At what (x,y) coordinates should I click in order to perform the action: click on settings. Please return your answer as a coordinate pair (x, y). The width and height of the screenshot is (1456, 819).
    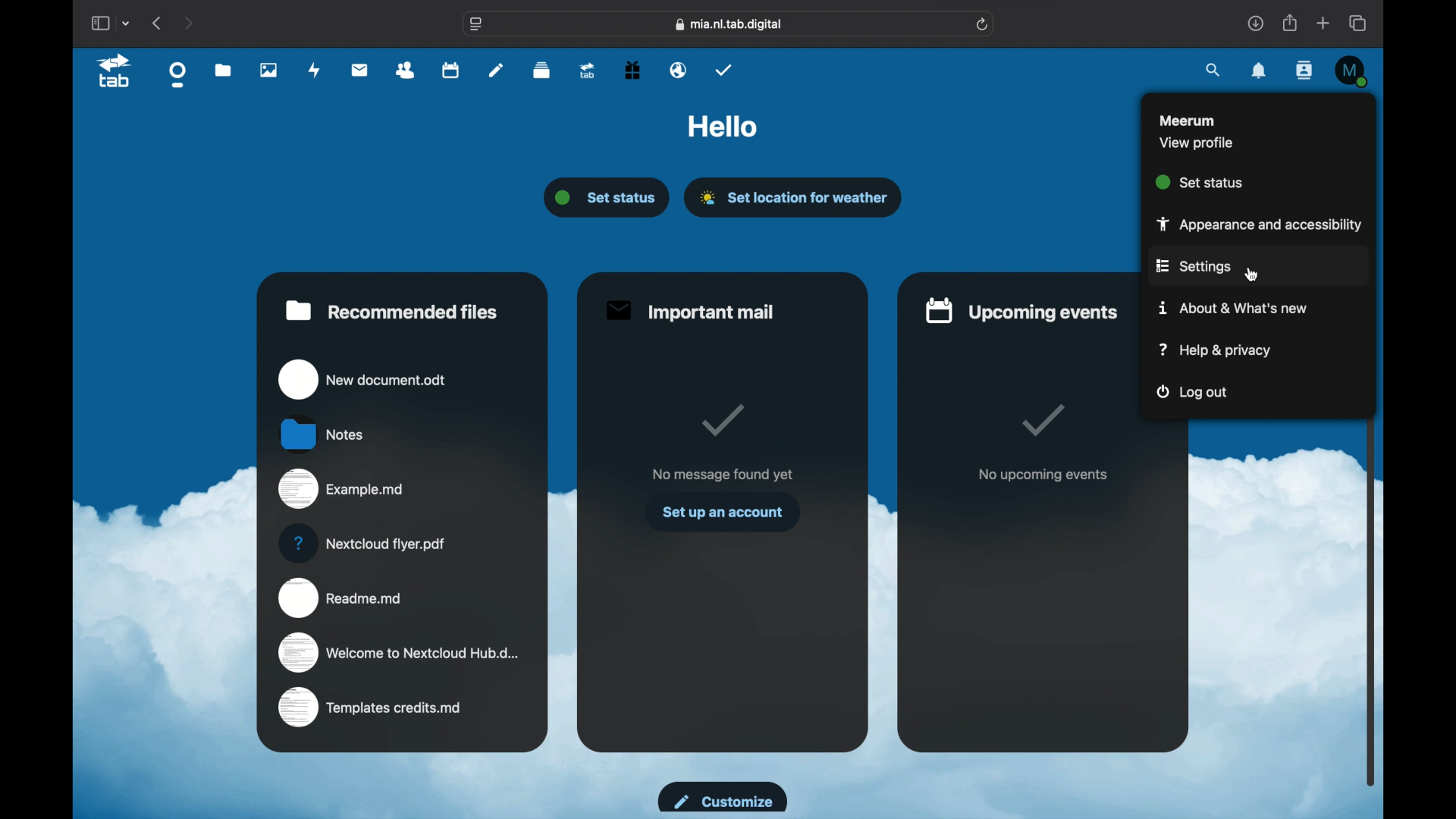
    Looking at the image, I should click on (1193, 267).